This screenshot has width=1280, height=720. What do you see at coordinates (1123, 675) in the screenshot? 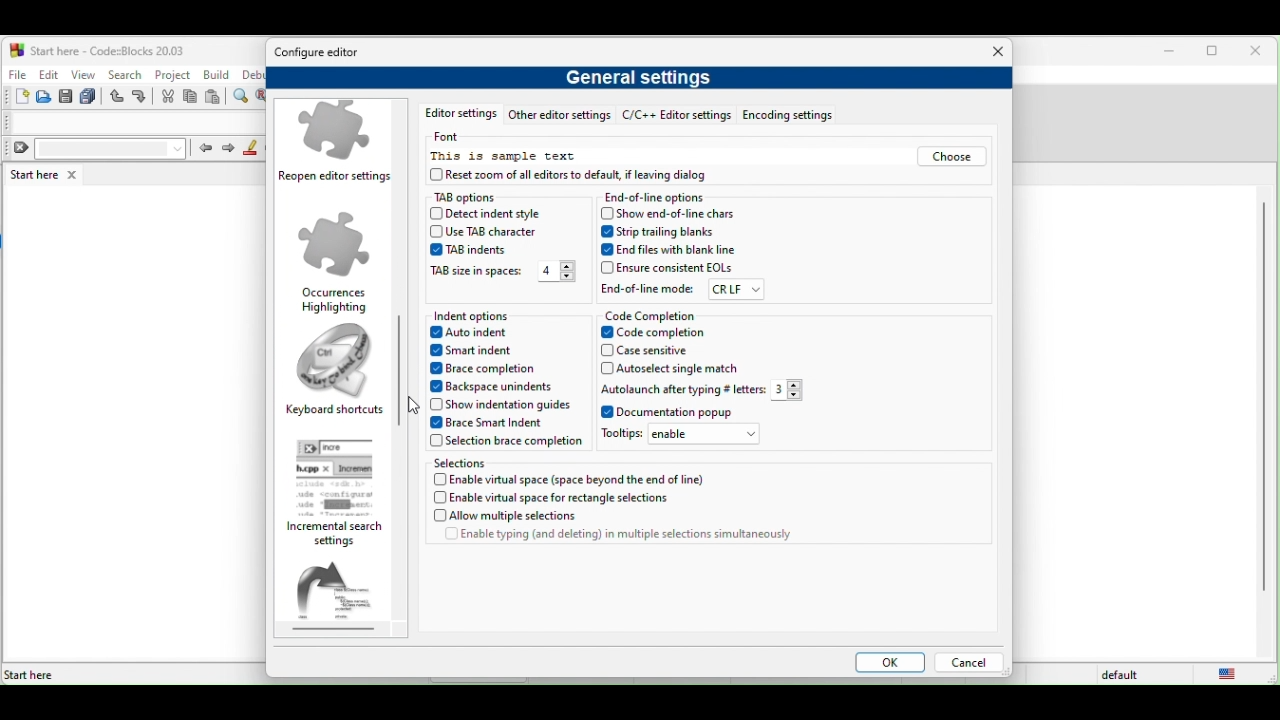
I see `default` at bounding box center [1123, 675].